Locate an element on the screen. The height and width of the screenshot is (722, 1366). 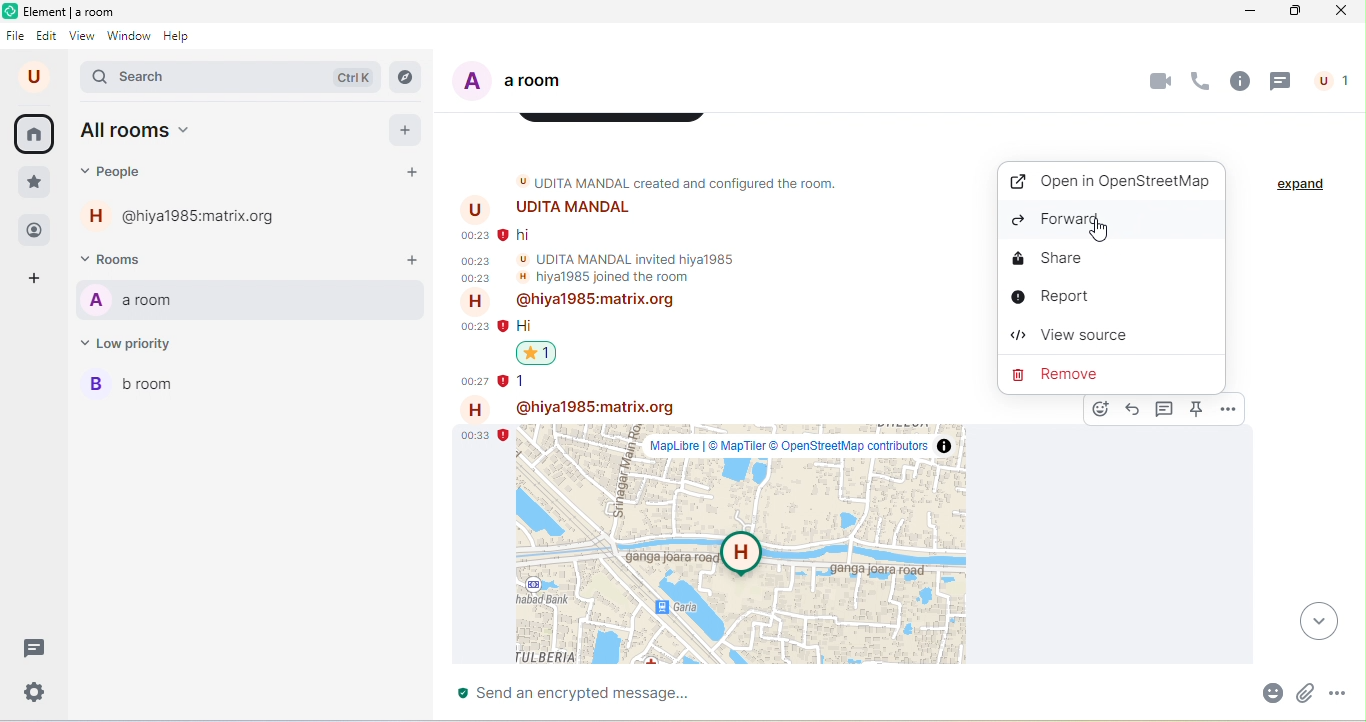
options is located at coordinates (382, 298).